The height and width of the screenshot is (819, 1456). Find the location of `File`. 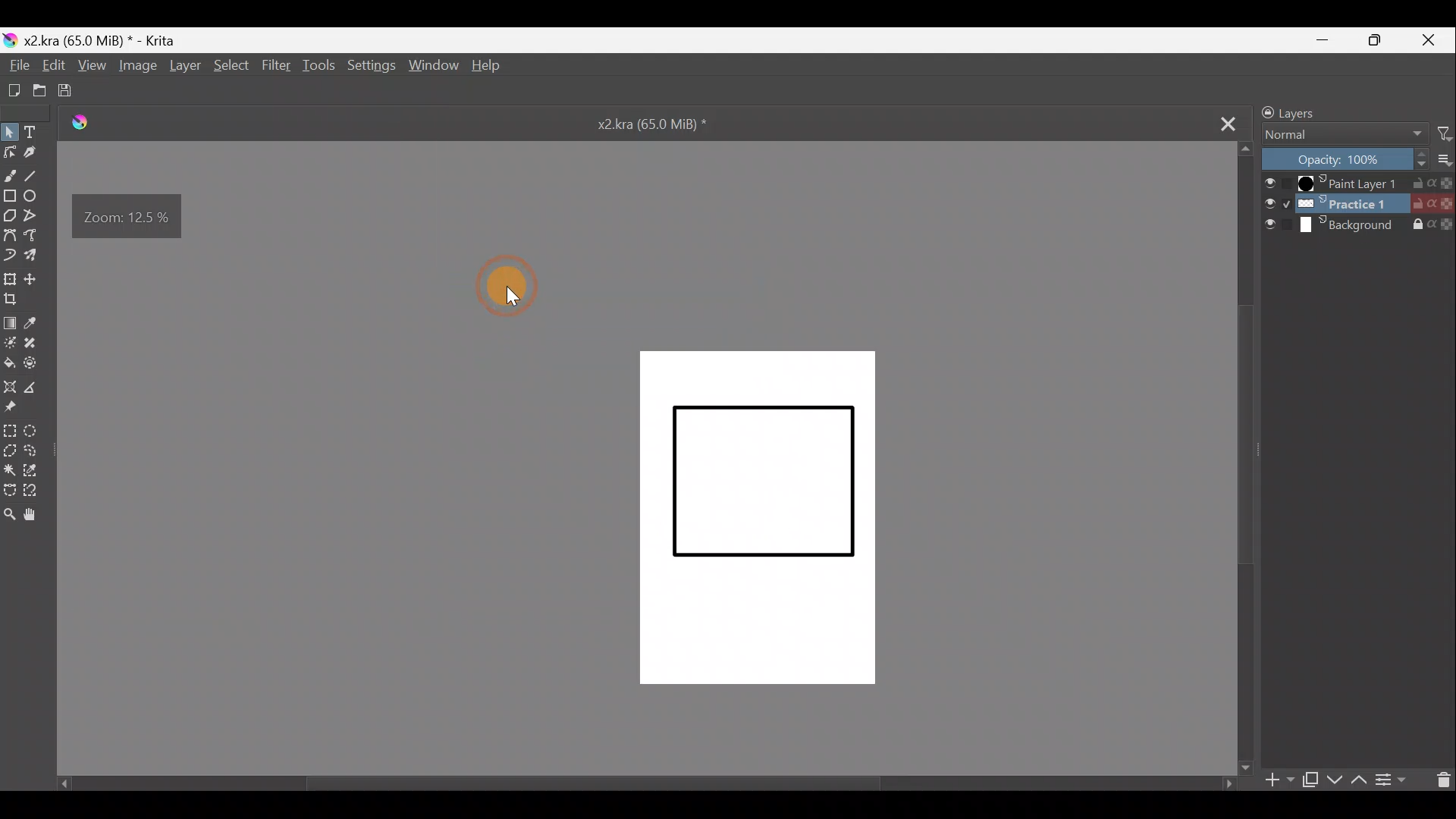

File is located at coordinates (18, 64).